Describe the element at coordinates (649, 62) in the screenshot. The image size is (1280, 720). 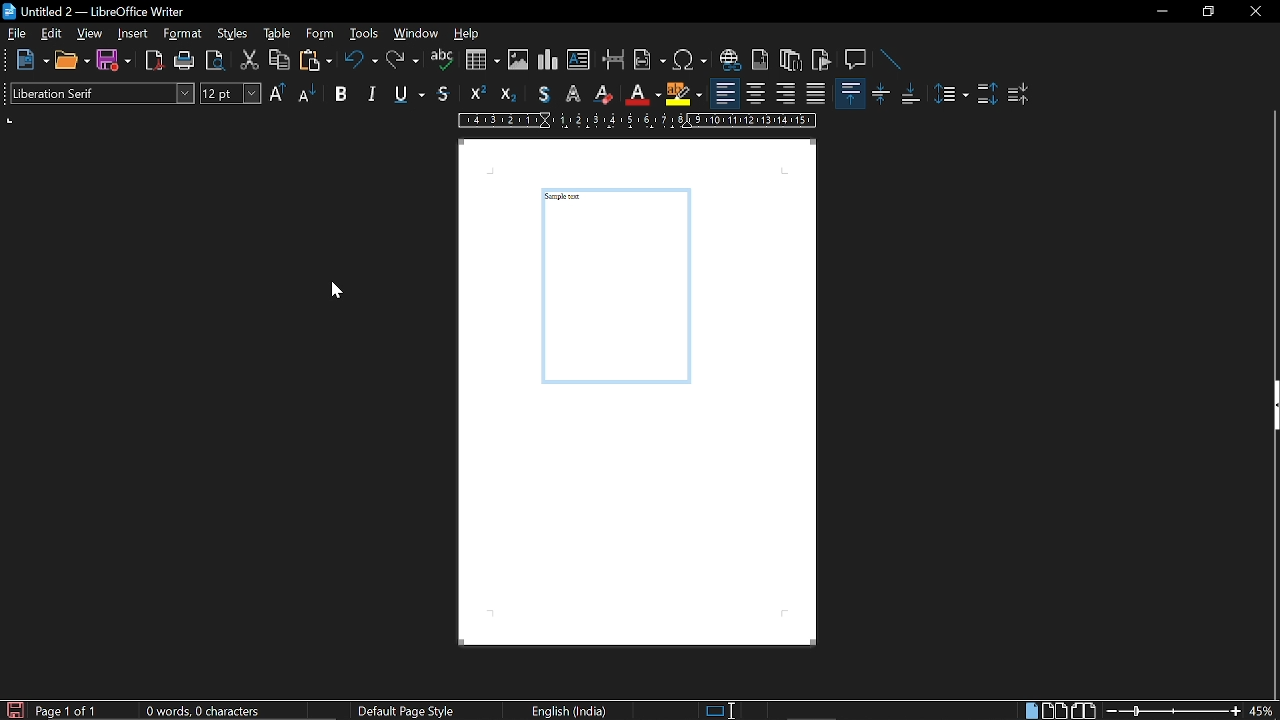
I see `insert field` at that location.